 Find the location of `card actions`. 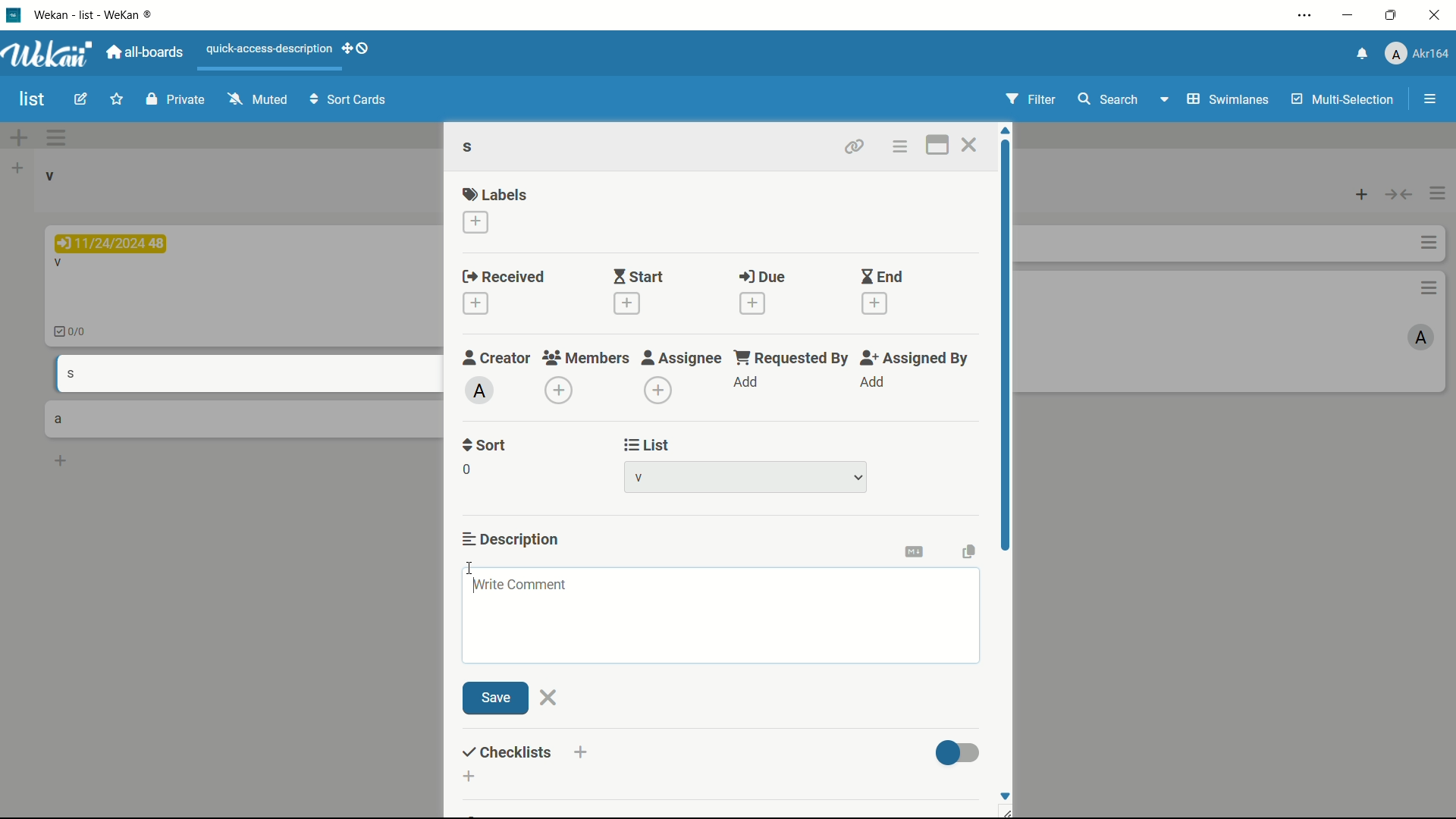

card actions is located at coordinates (899, 146).